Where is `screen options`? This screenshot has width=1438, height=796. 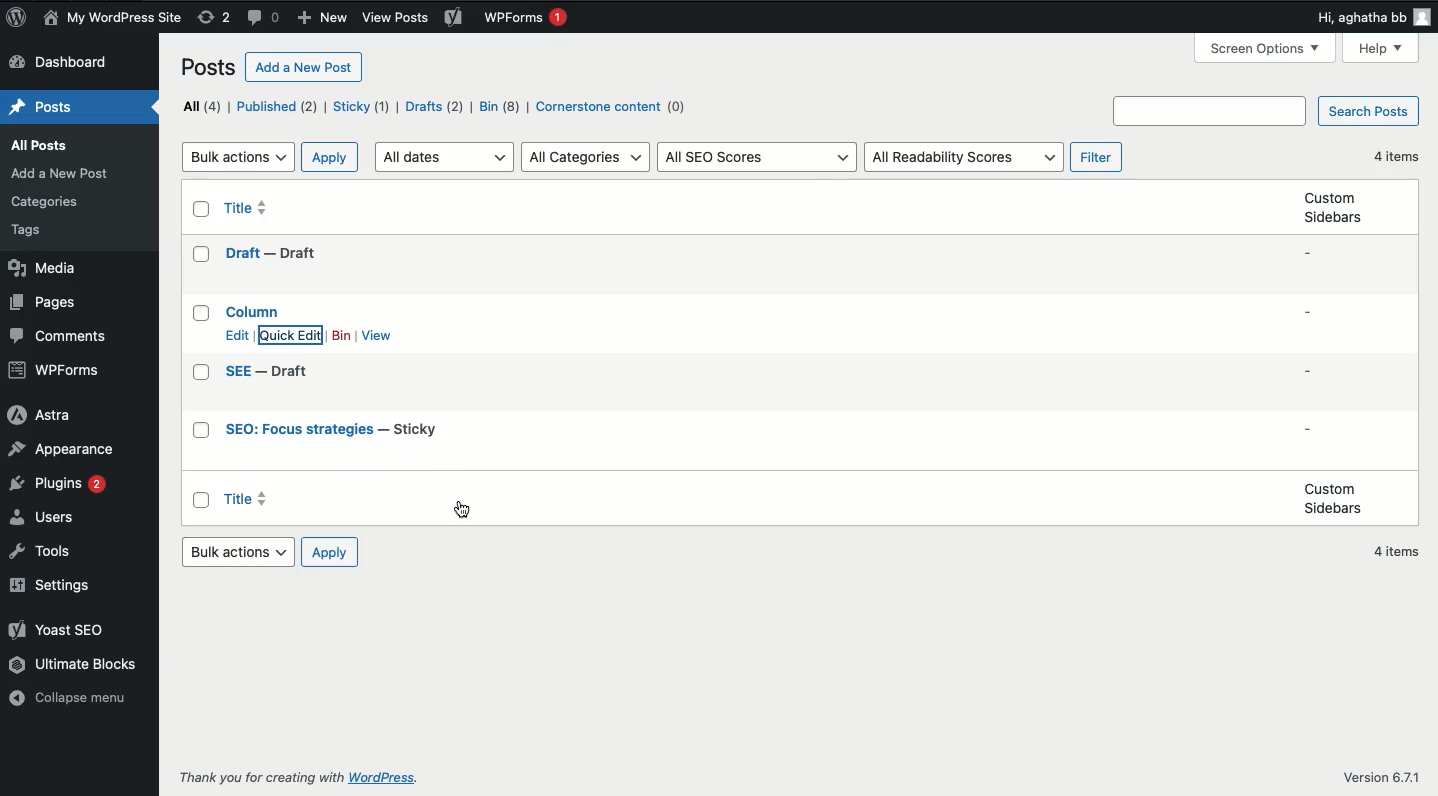
screen options is located at coordinates (1266, 48).